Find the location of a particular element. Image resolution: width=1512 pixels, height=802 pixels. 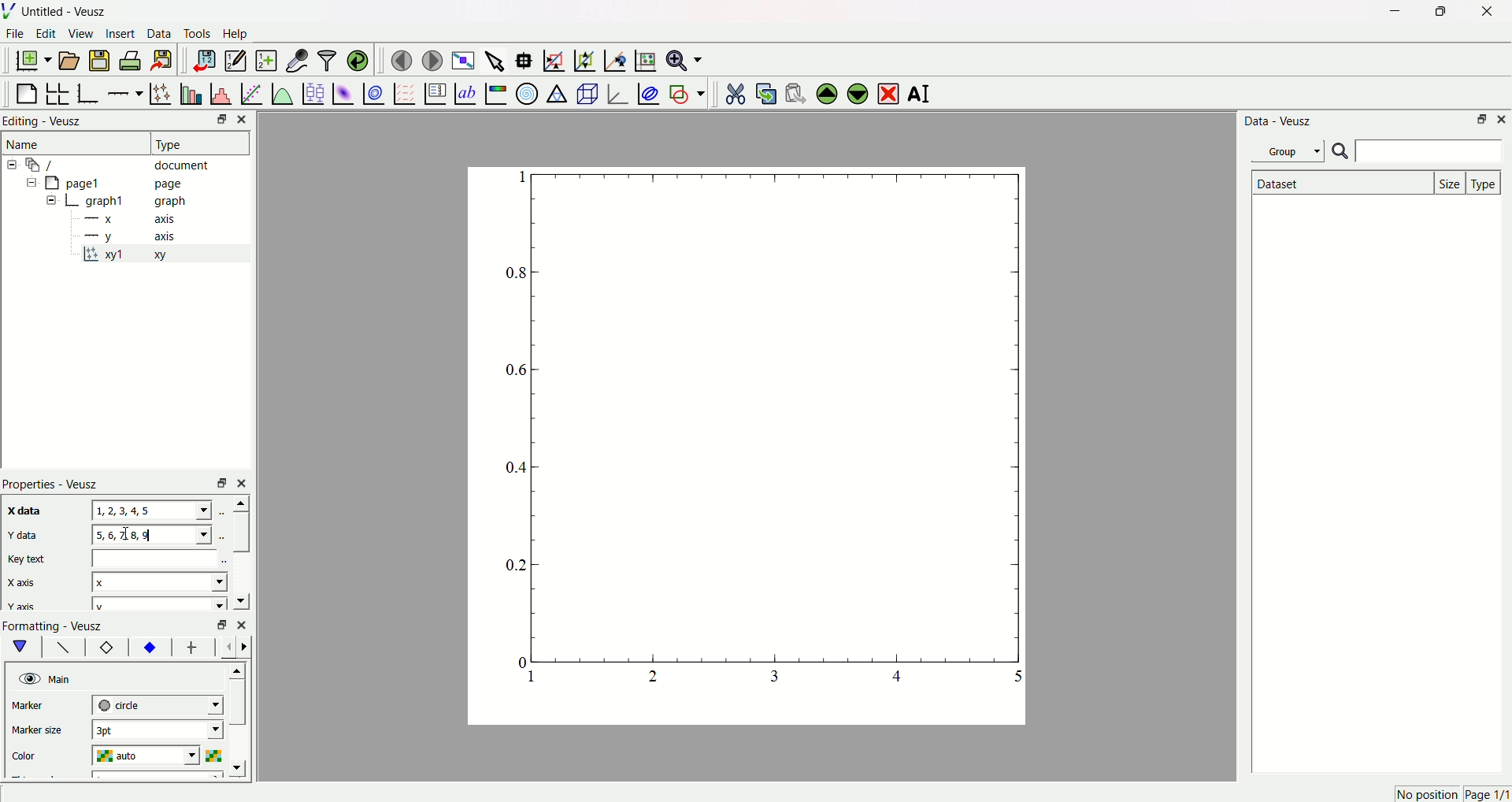

Data - Veusz is located at coordinates (1280, 122).